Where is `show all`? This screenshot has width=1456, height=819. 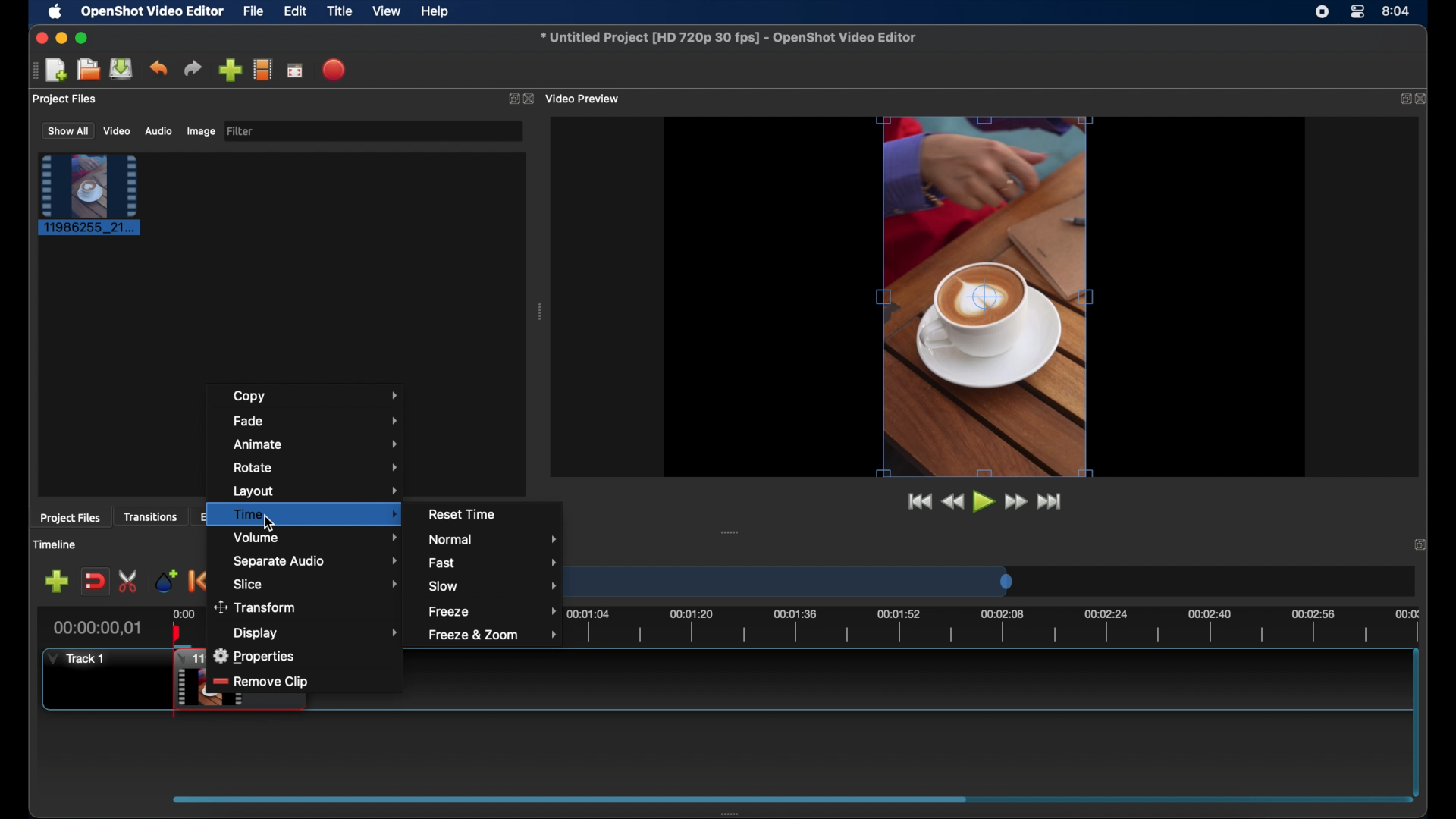
show all is located at coordinates (67, 131).